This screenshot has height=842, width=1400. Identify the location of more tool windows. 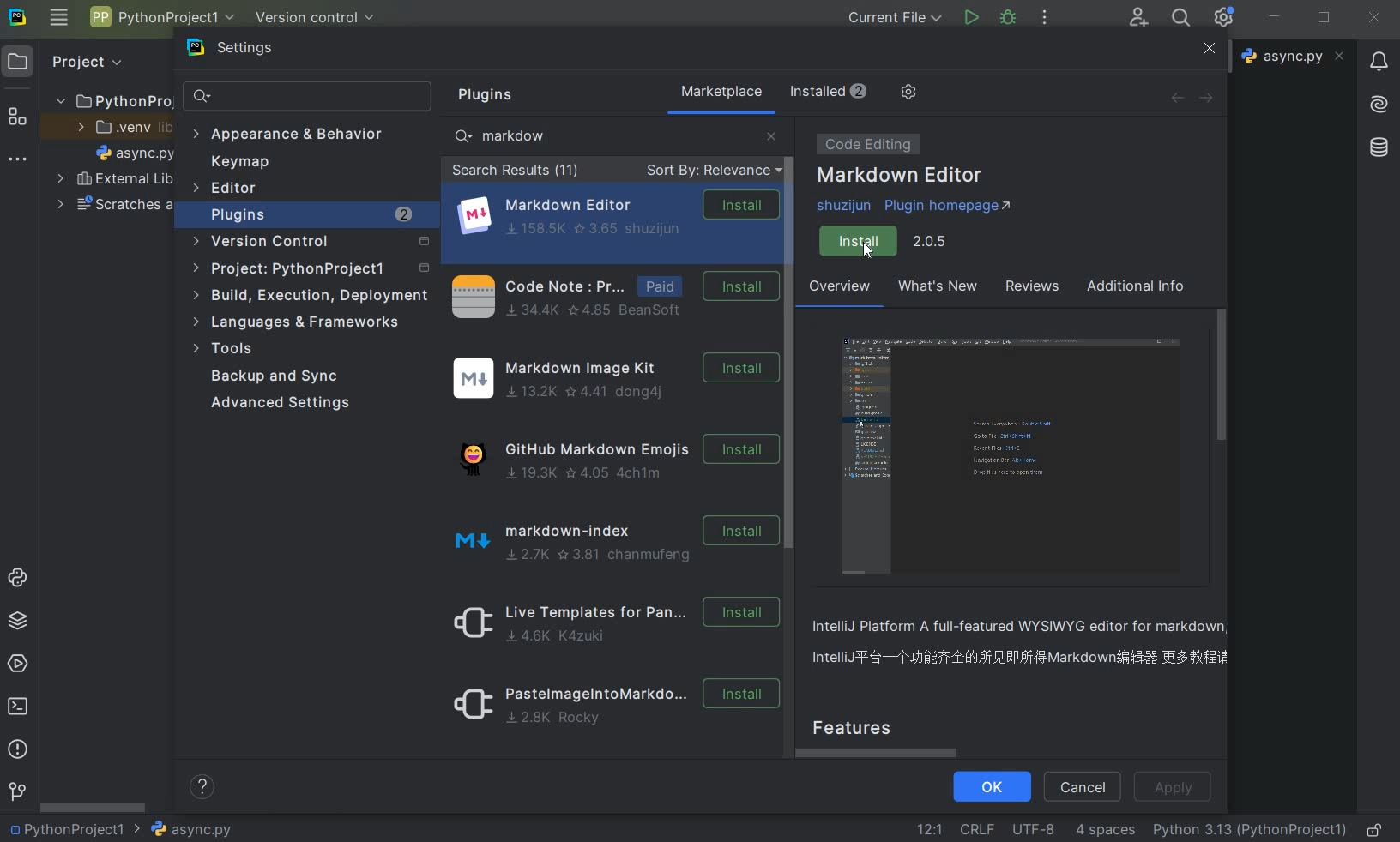
(18, 162).